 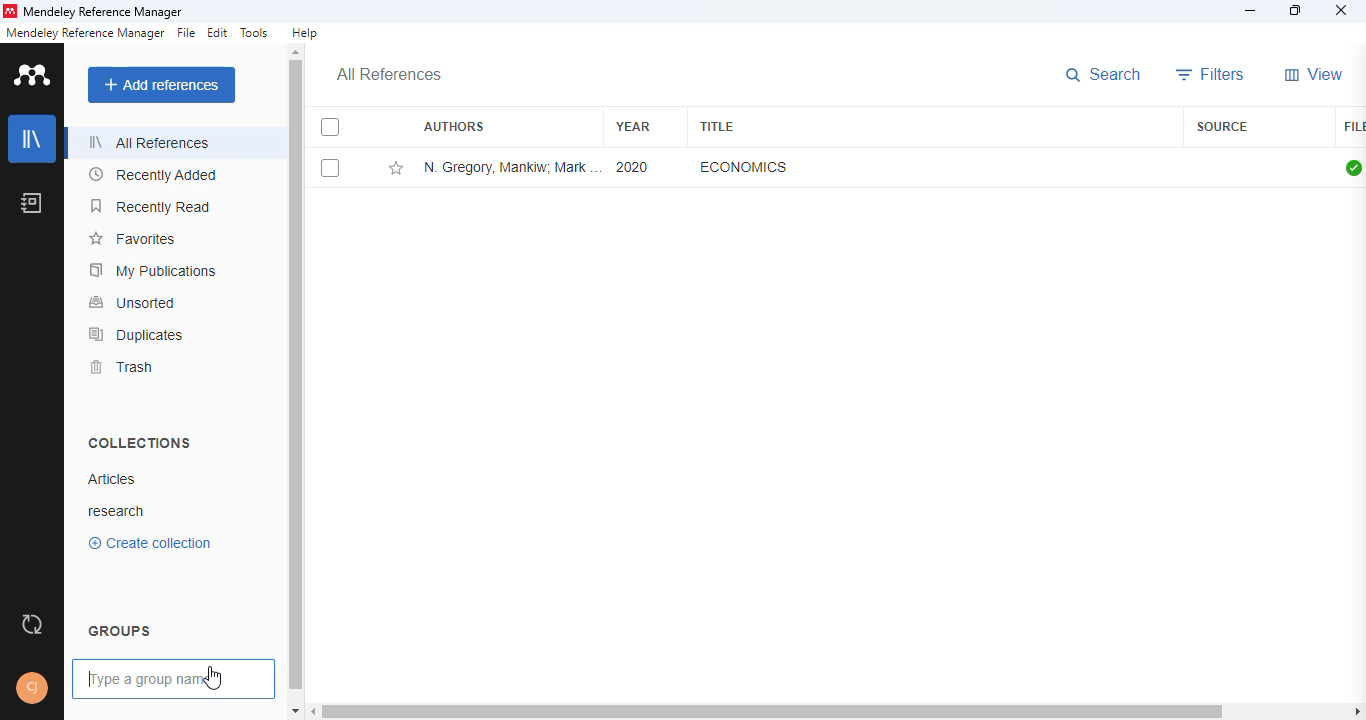 What do you see at coordinates (744, 166) in the screenshot?
I see `economics` at bounding box center [744, 166].